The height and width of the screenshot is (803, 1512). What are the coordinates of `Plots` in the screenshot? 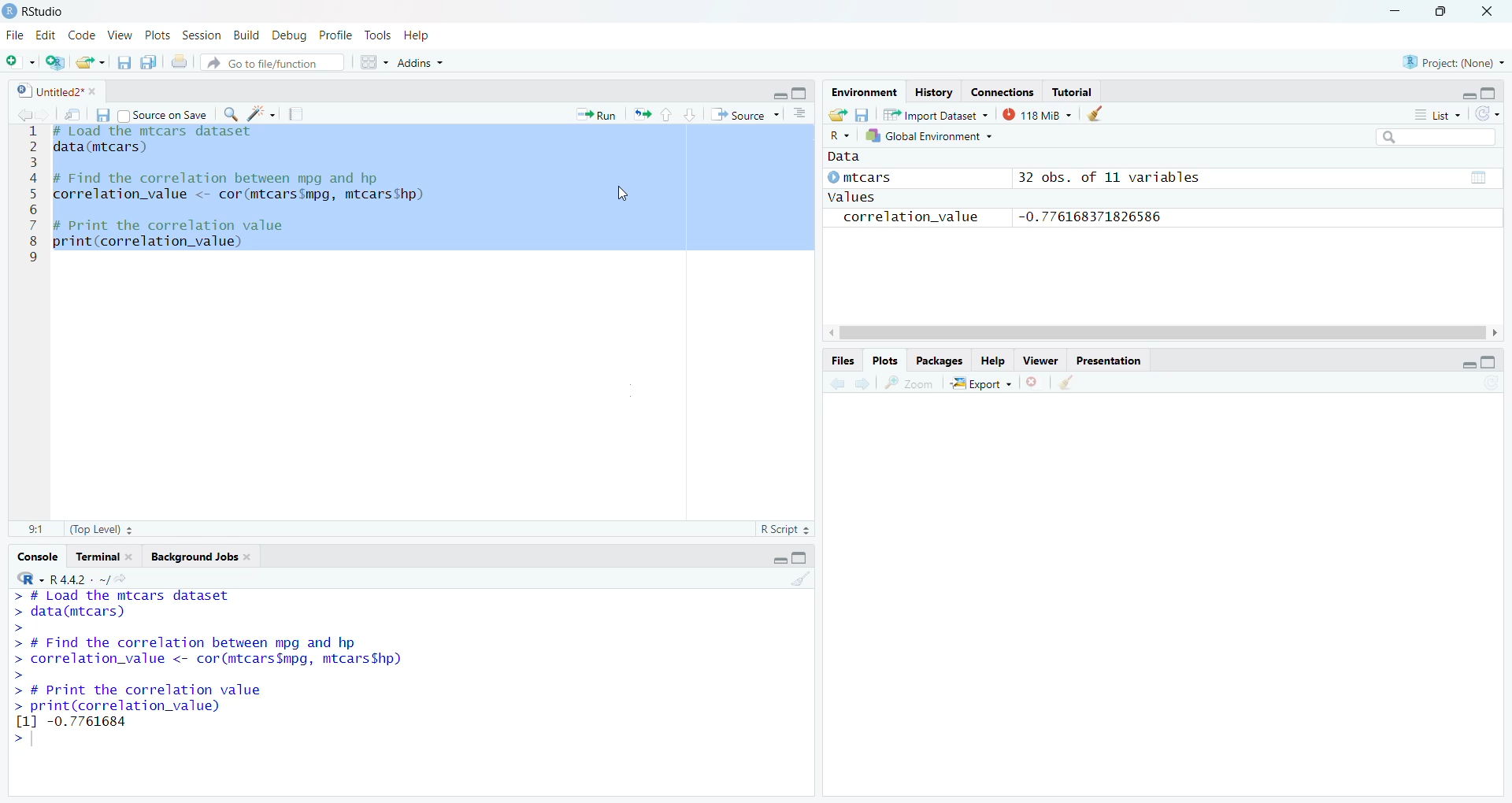 It's located at (157, 35).